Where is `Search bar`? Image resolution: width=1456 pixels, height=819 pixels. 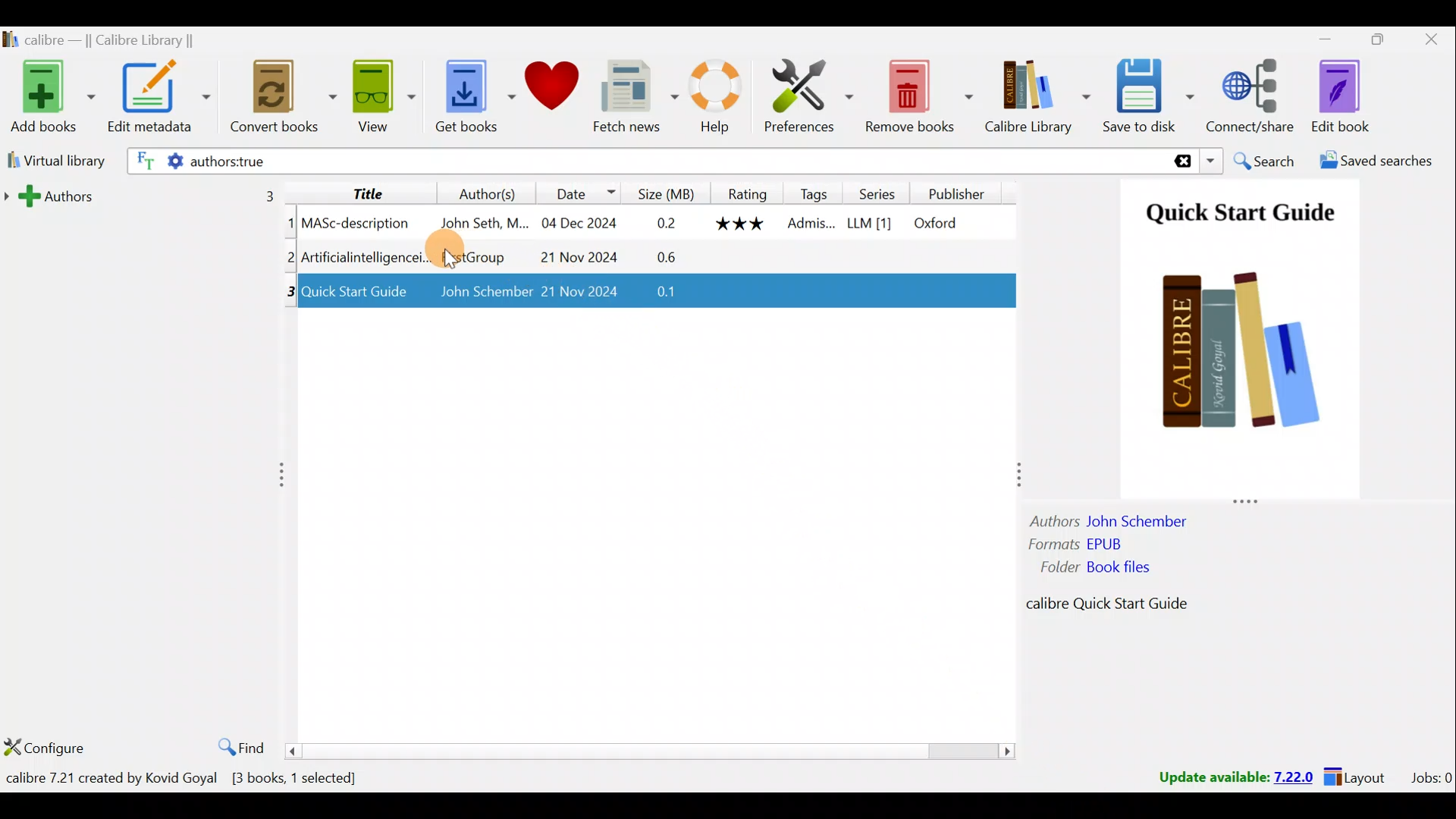 Search bar is located at coordinates (680, 159).